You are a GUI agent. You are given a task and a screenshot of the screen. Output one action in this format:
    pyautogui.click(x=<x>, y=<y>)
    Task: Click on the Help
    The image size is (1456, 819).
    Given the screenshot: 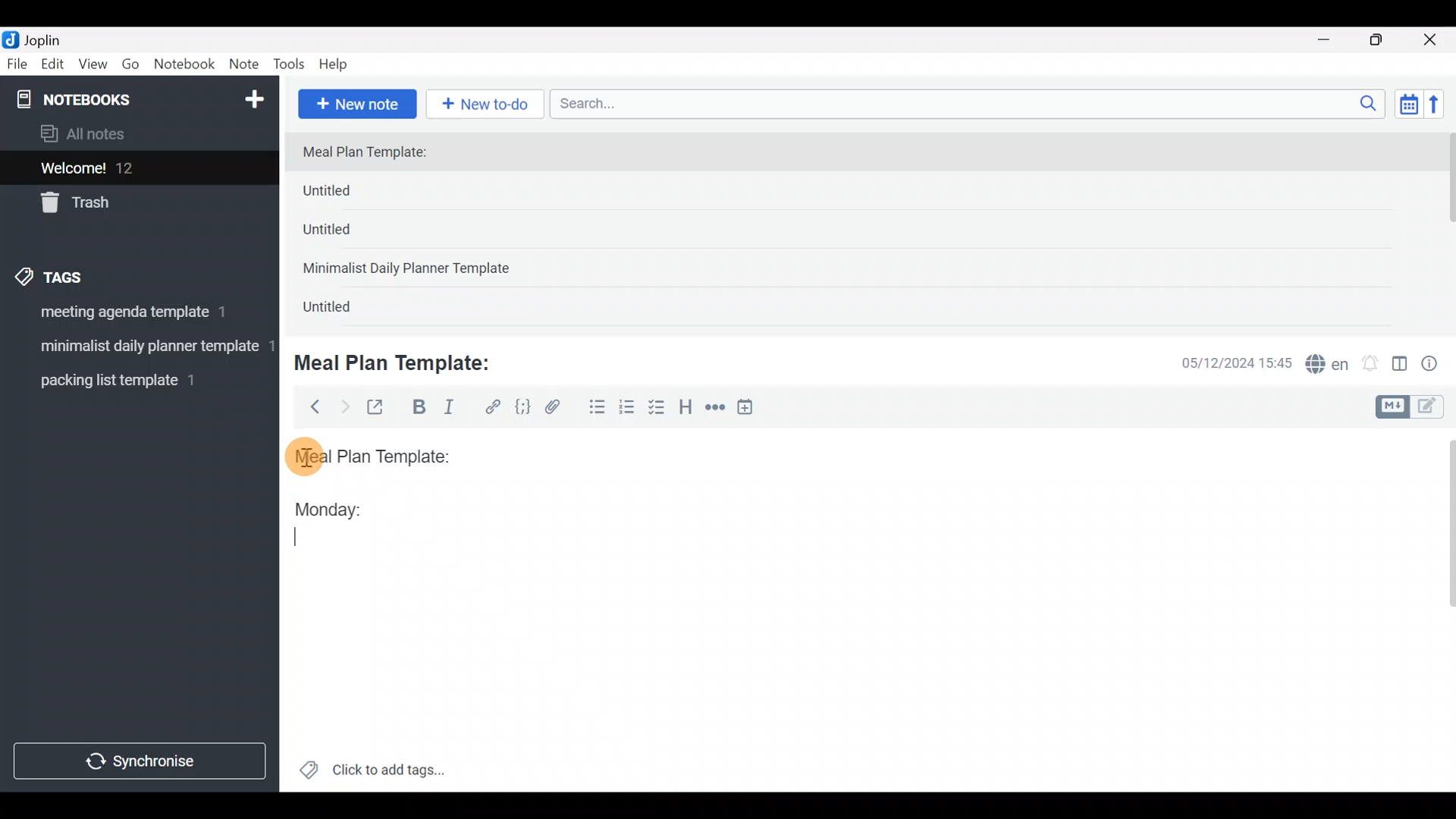 What is the action you would take?
    pyautogui.click(x=339, y=61)
    